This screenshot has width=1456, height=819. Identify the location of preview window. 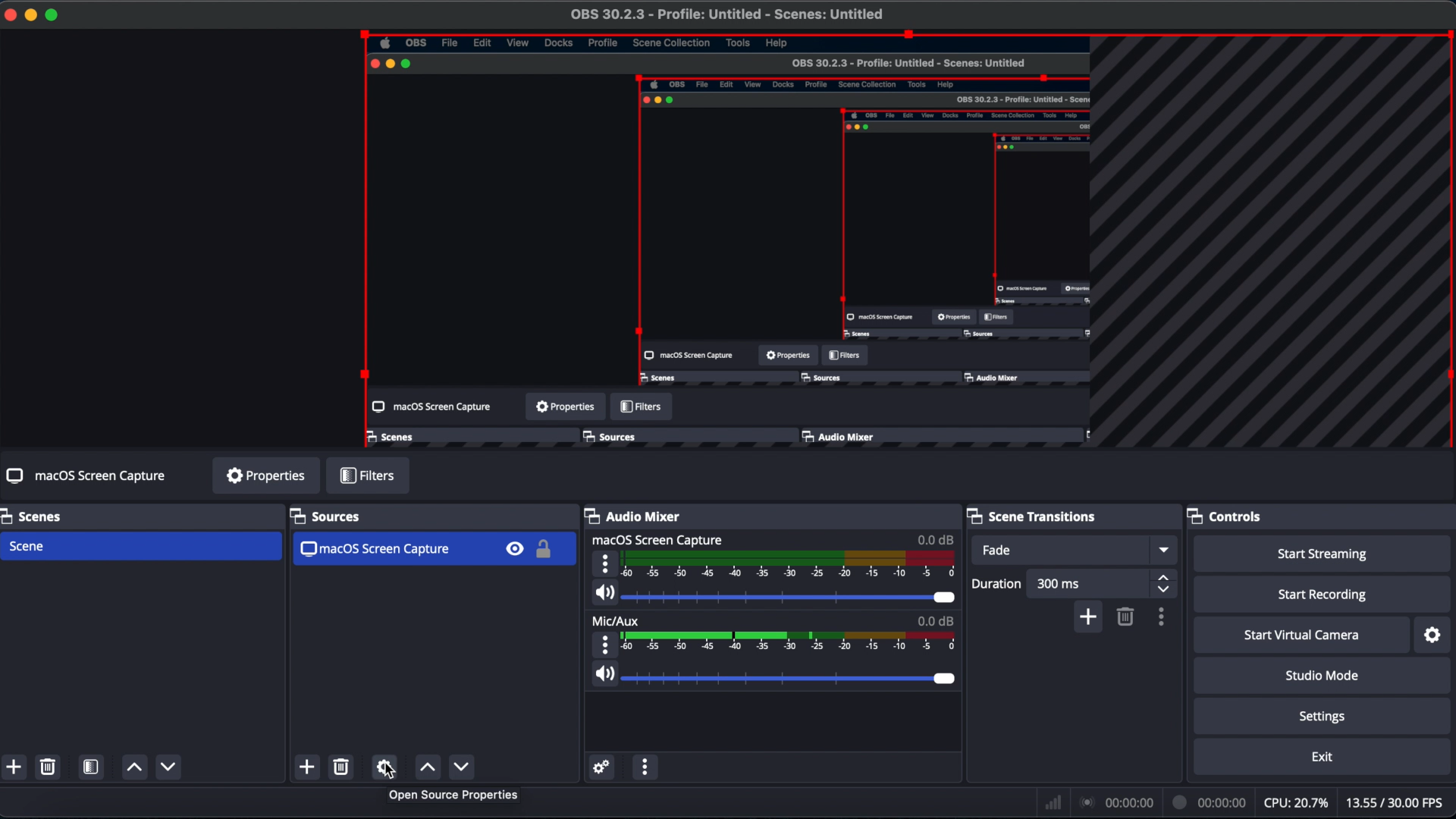
(735, 244).